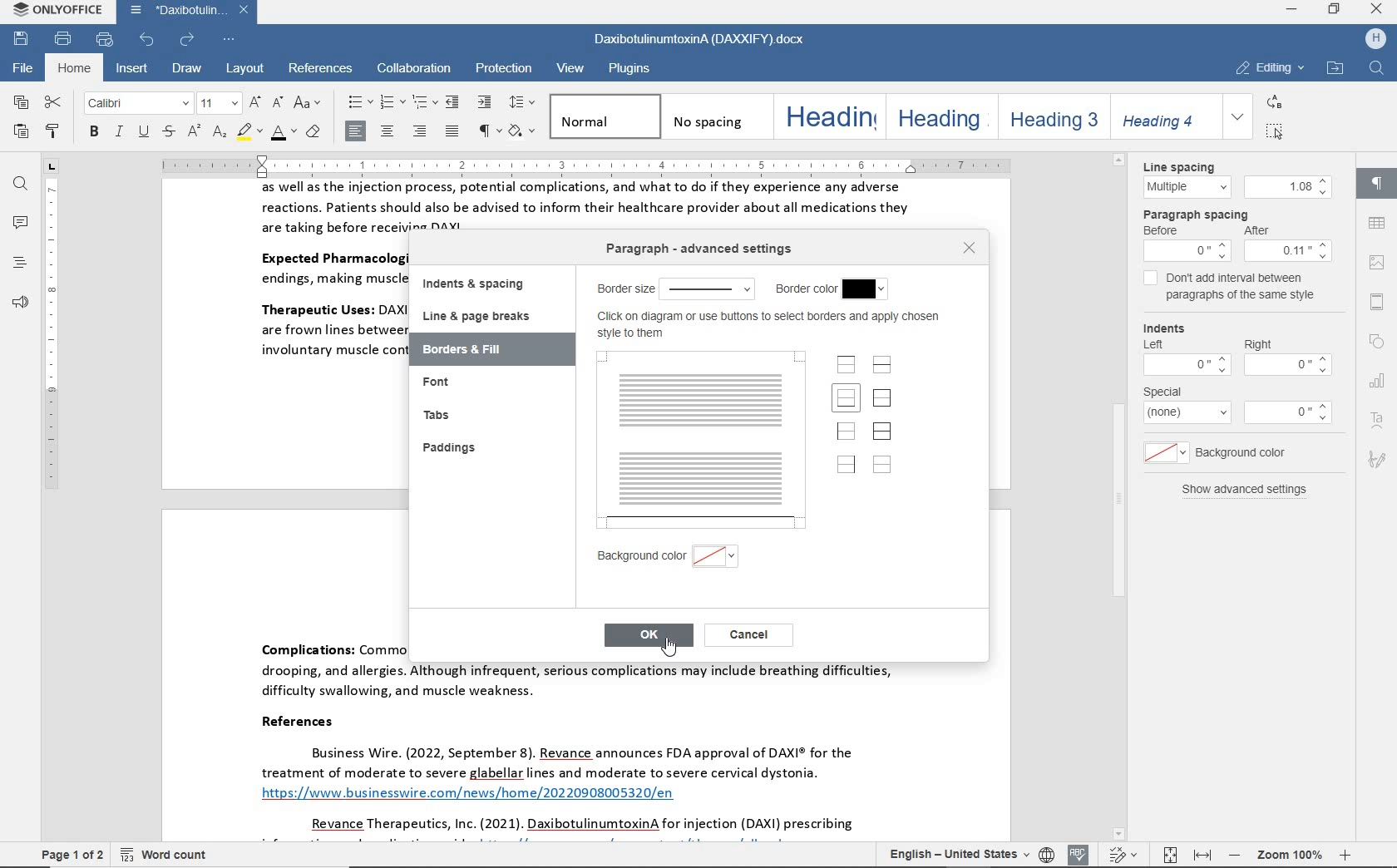 Image resolution: width=1397 pixels, height=868 pixels. Describe the element at coordinates (1167, 855) in the screenshot. I see `fit to page` at that location.